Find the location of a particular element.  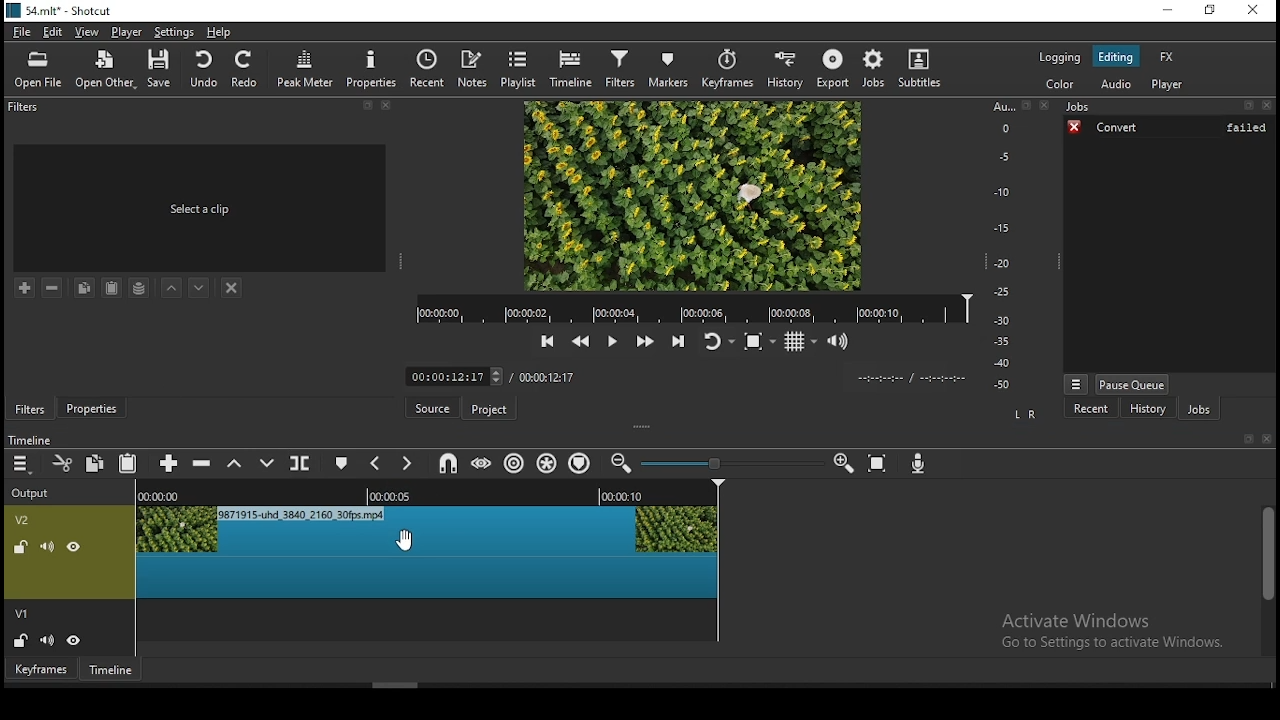

bookmark is located at coordinates (1243, 438).